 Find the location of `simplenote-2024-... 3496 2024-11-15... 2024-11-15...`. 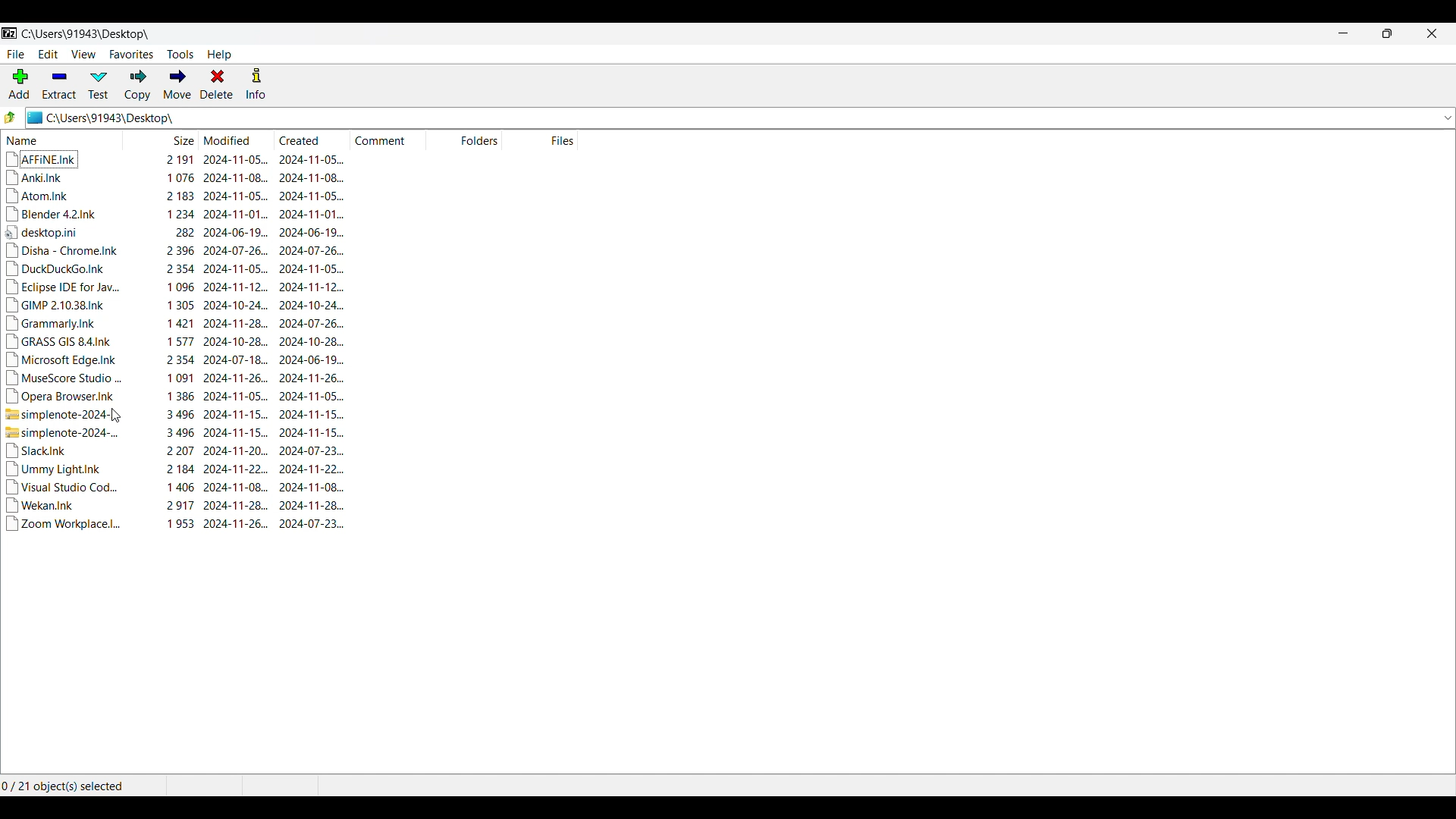

simplenote-2024-... 3496 2024-11-15... 2024-11-15... is located at coordinates (183, 432).